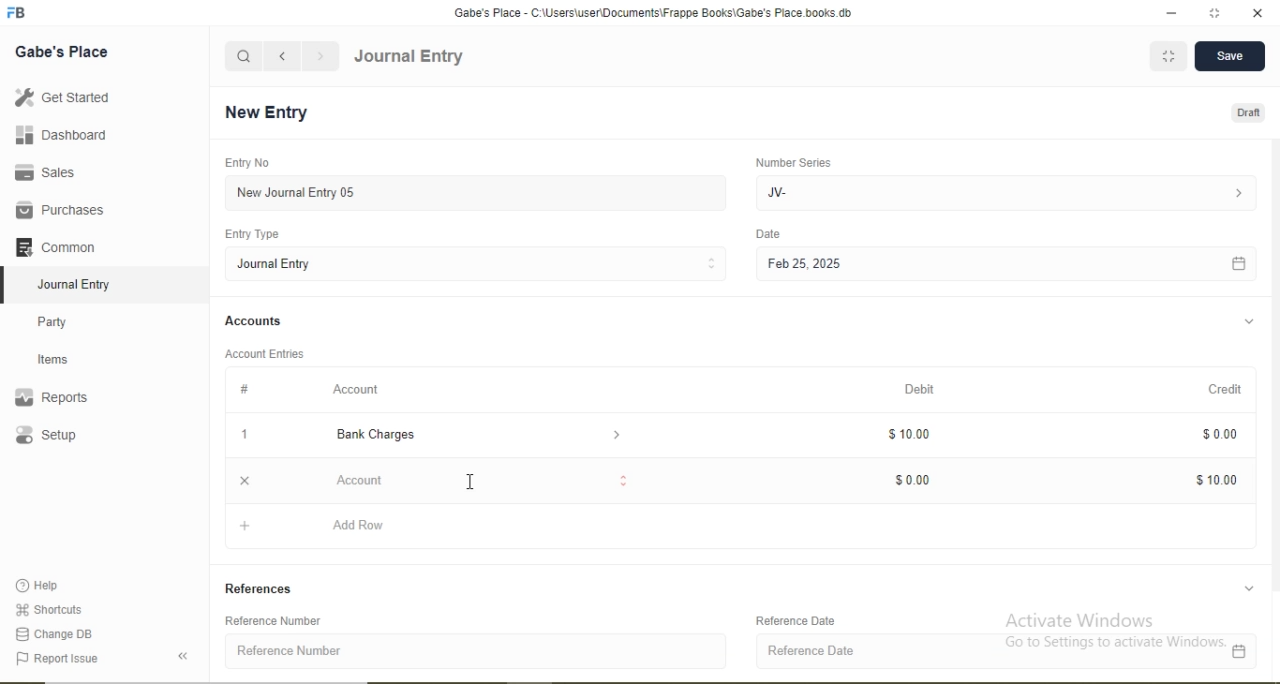  Describe the element at coordinates (60, 210) in the screenshot. I see `Purchases` at that location.